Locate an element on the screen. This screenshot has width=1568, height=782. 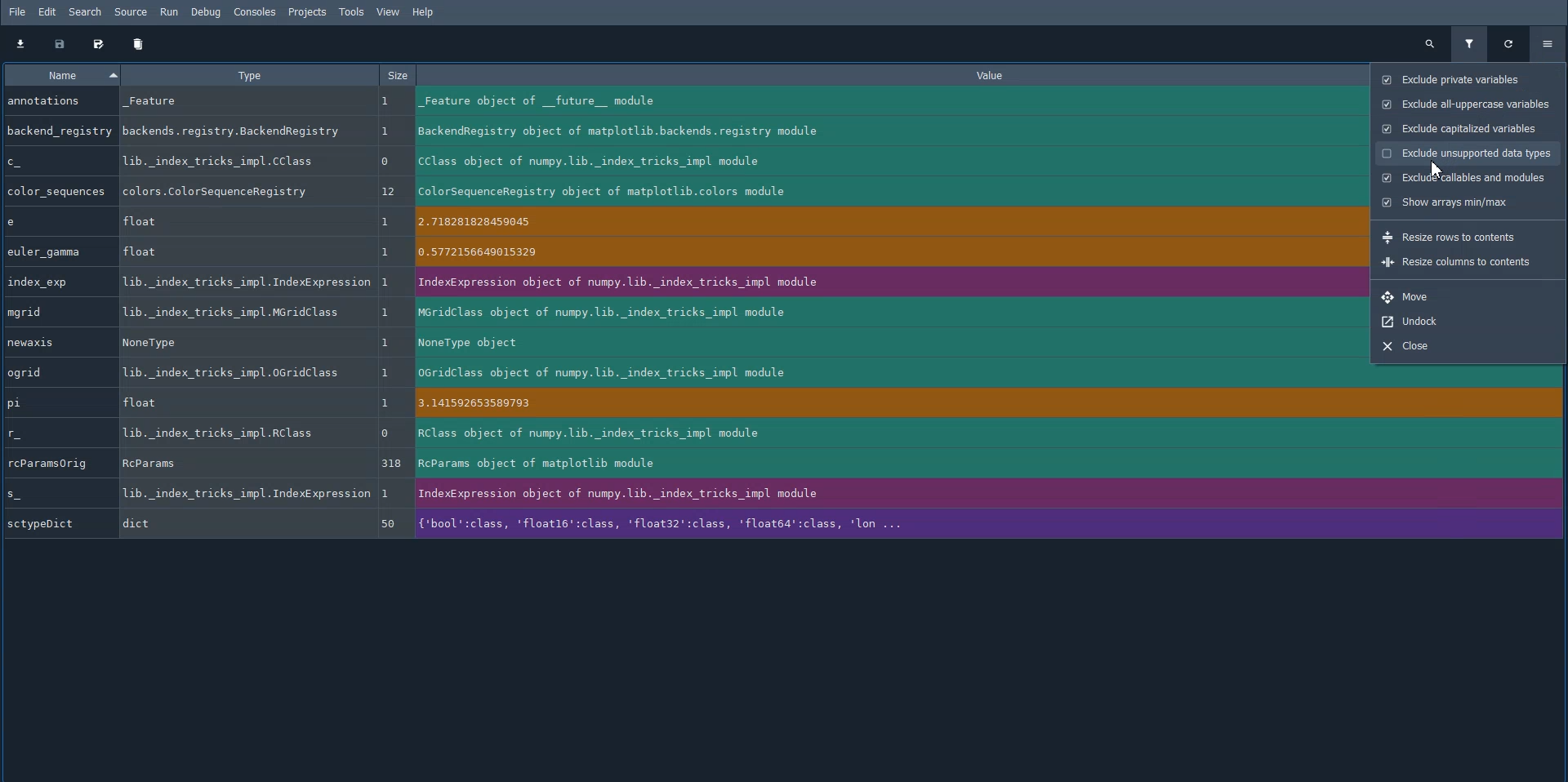
1 is located at coordinates (388, 341).